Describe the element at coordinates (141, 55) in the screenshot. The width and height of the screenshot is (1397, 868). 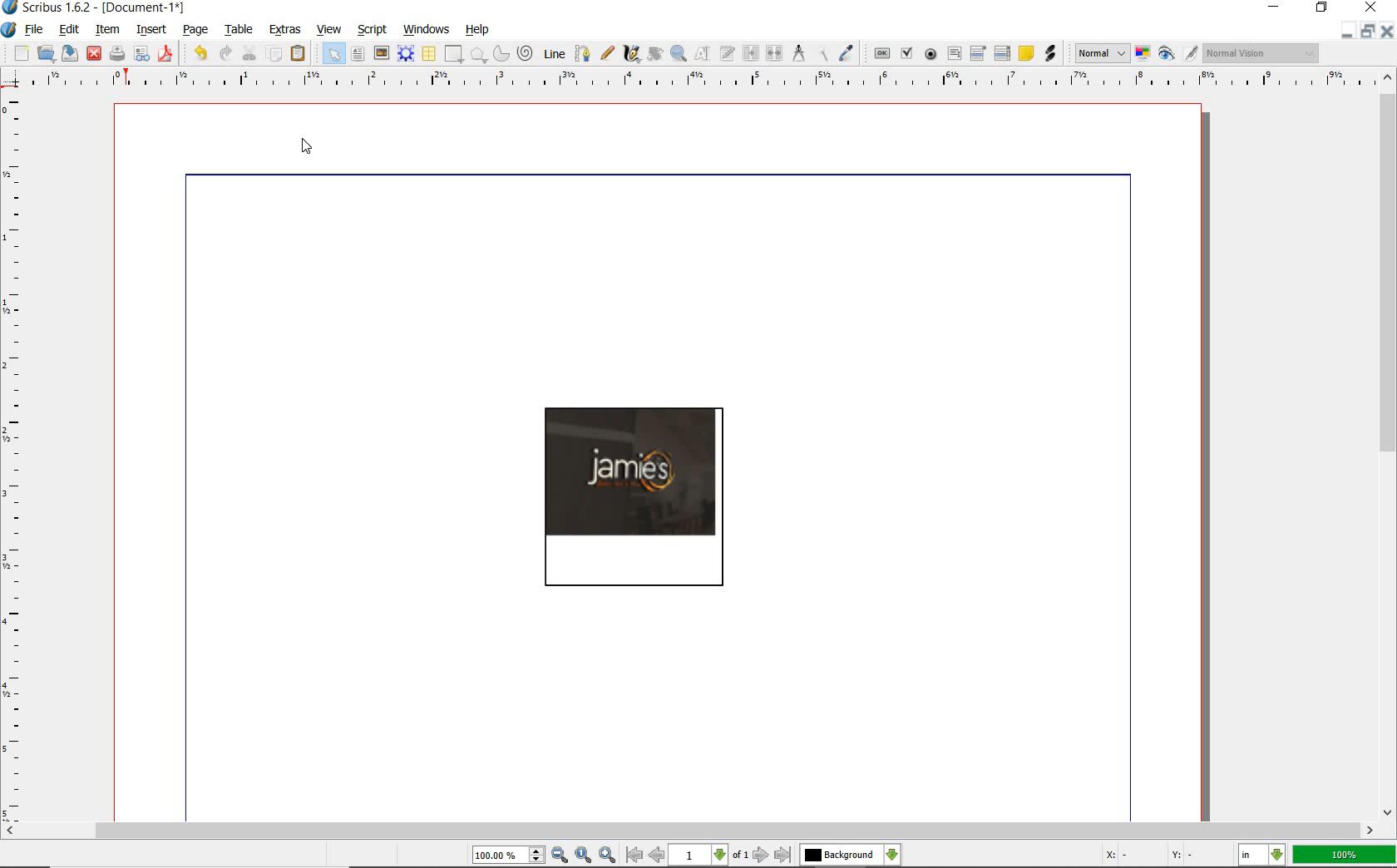
I see `preflight verifier` at that location.